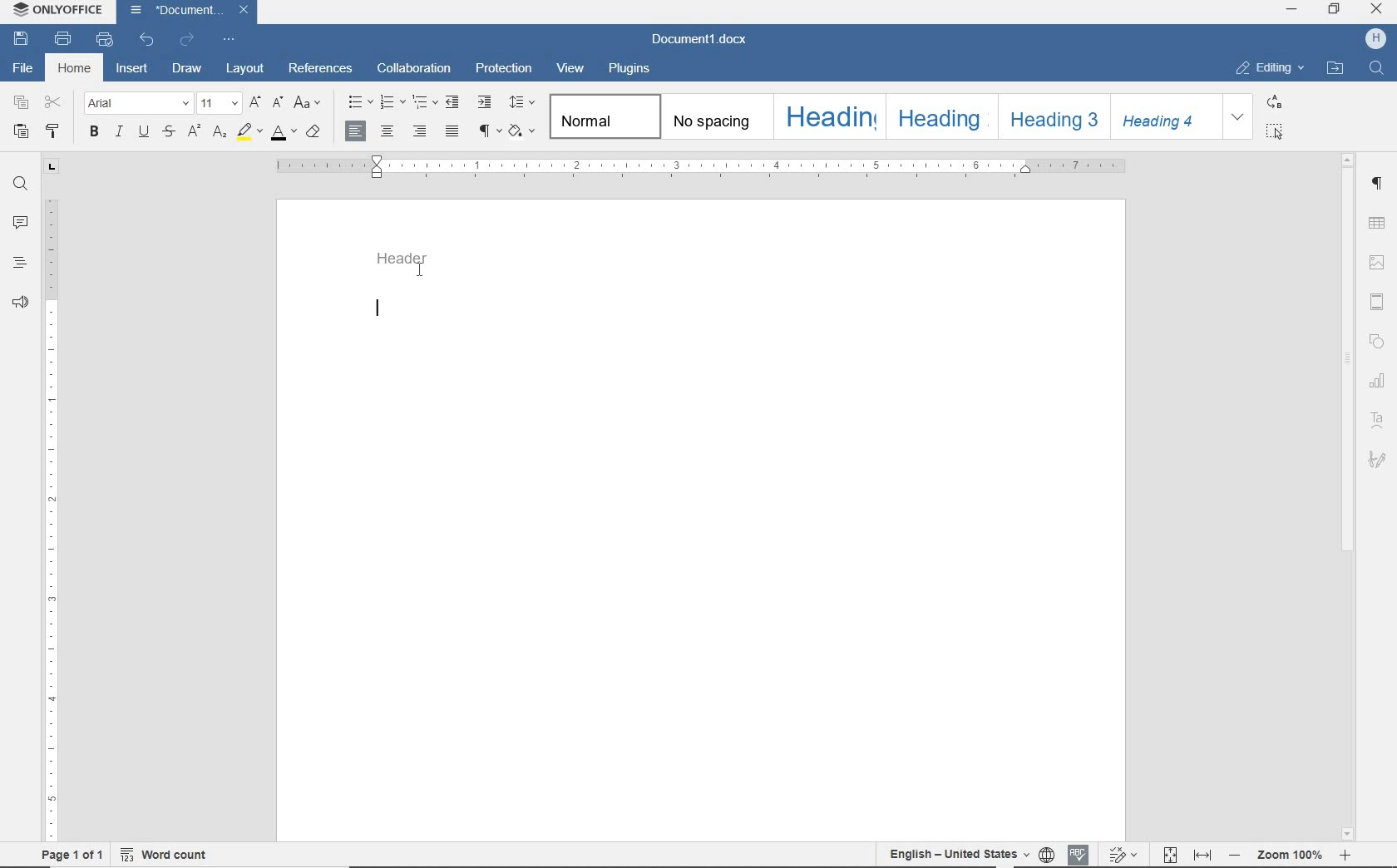 This screenshot has width=1397, height=868. Describe the element at coordinates (1203, 855) in the screenshot. I see `fit to width` at that location.